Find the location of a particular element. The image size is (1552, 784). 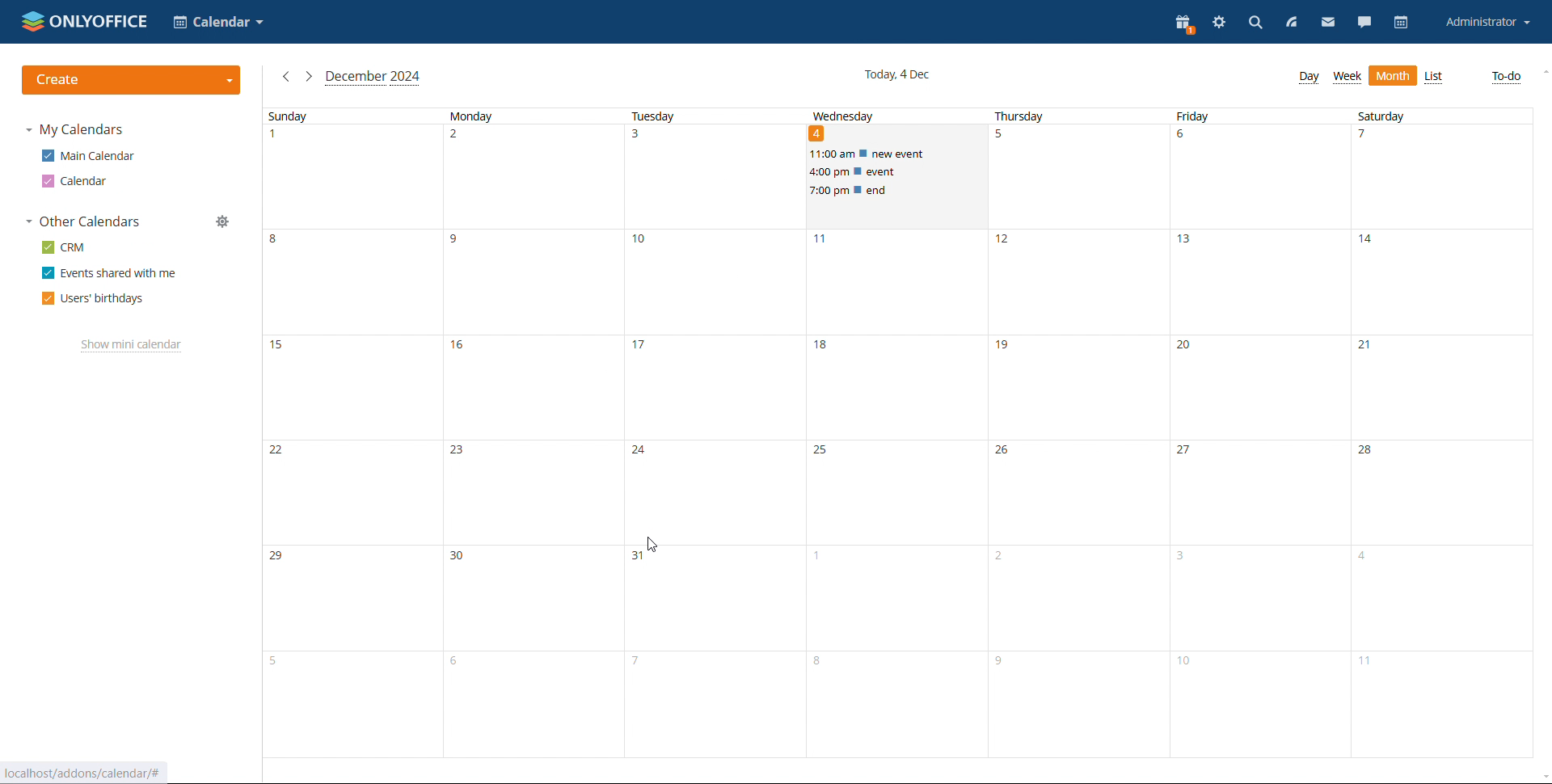

wednesday is located at coordinates (899, 485).